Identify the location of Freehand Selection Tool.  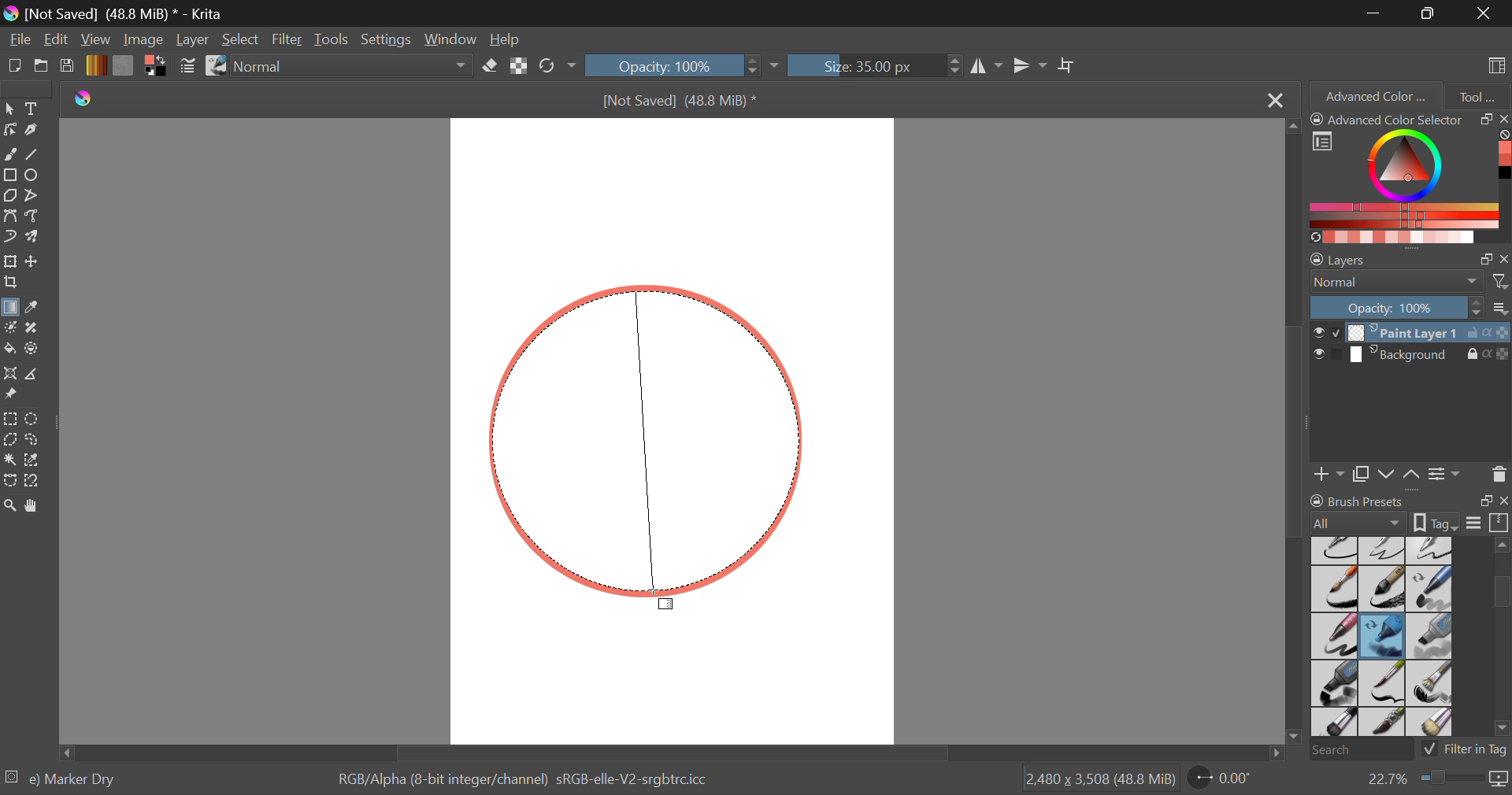
(34, 439).